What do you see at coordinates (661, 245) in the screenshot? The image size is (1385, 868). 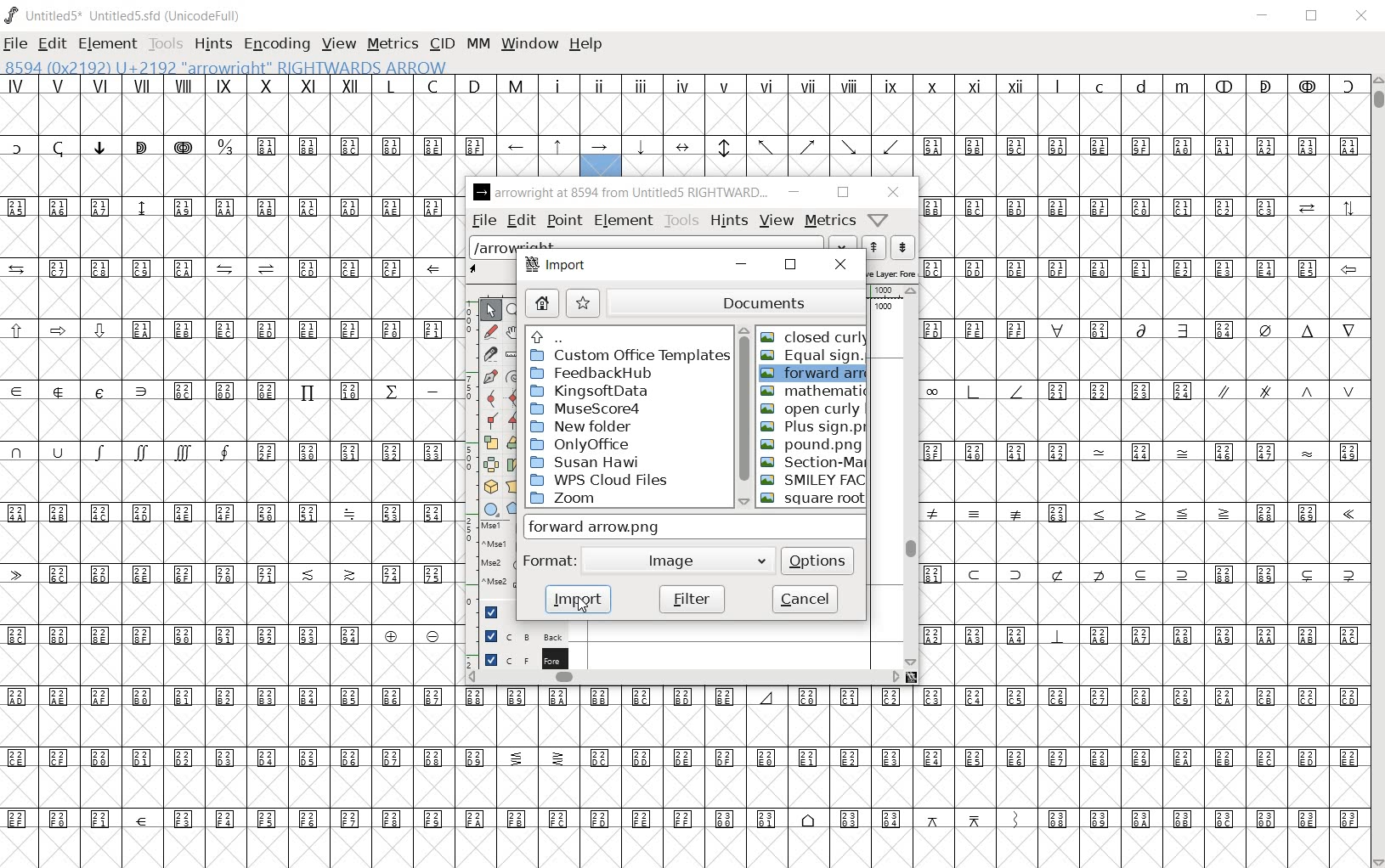 I see `load word list` at bounding box center [661, 245].